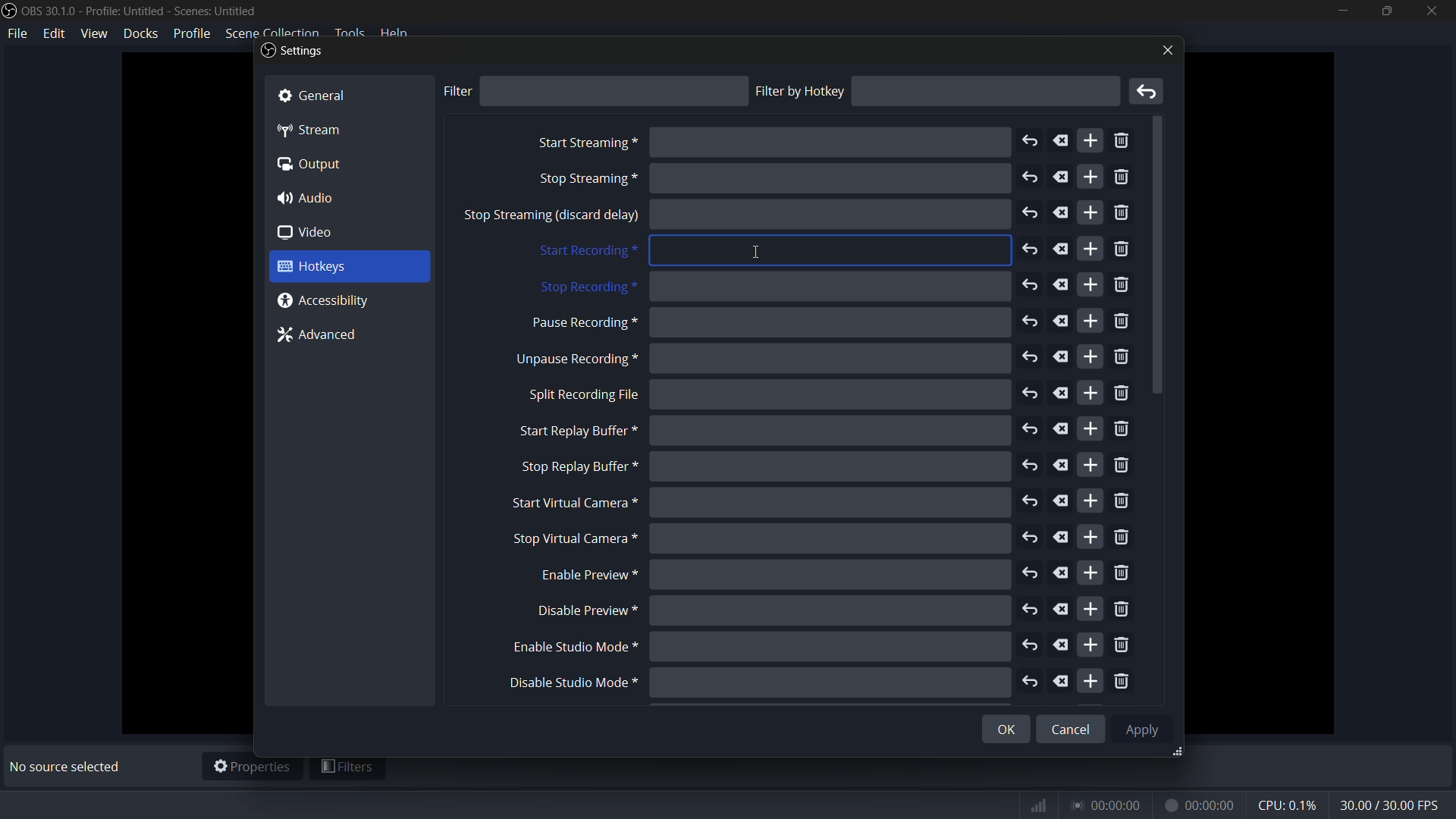  I want to click on close app, so click(1432, 11).